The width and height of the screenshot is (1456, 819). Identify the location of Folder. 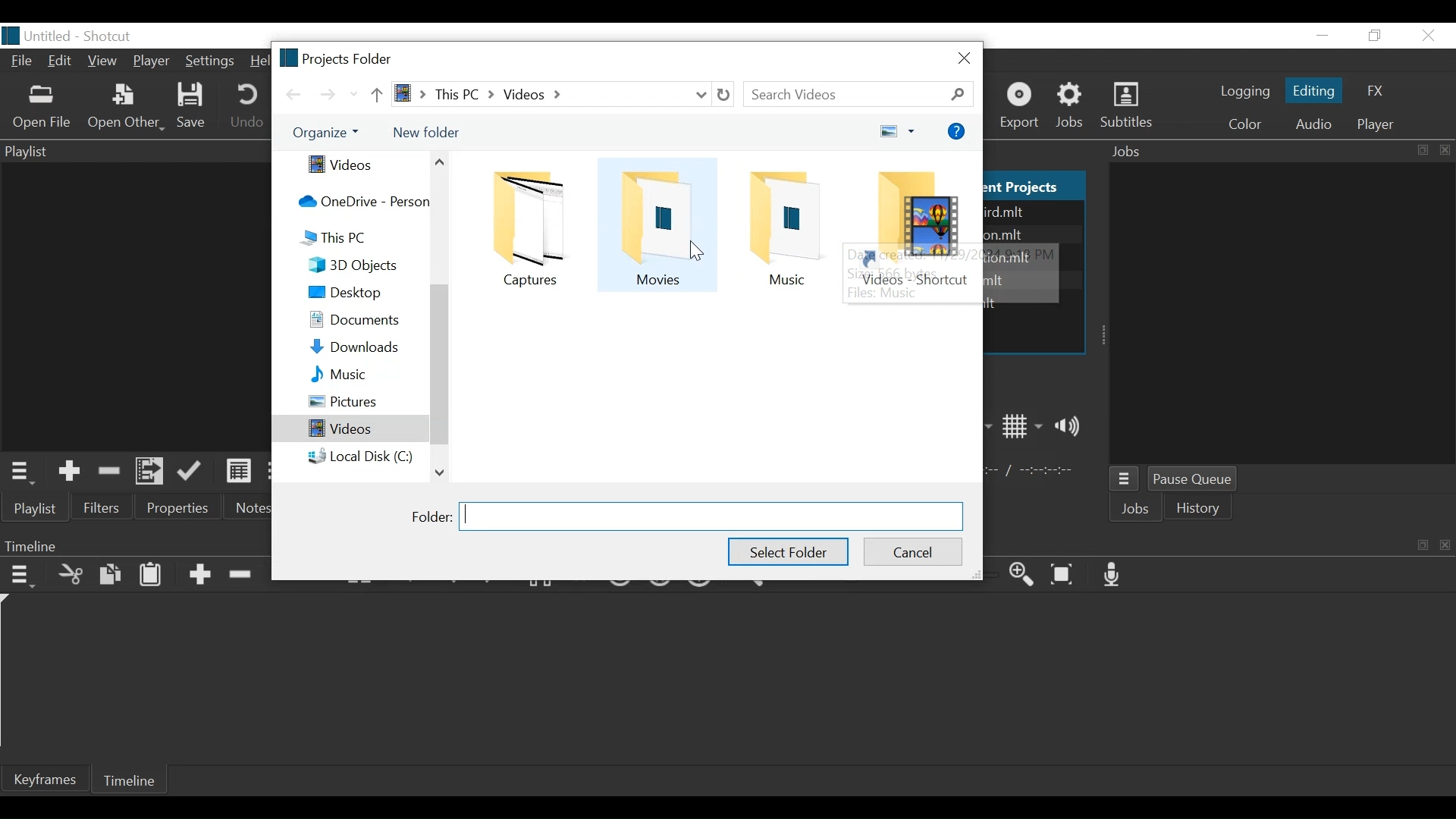
(908, 228).